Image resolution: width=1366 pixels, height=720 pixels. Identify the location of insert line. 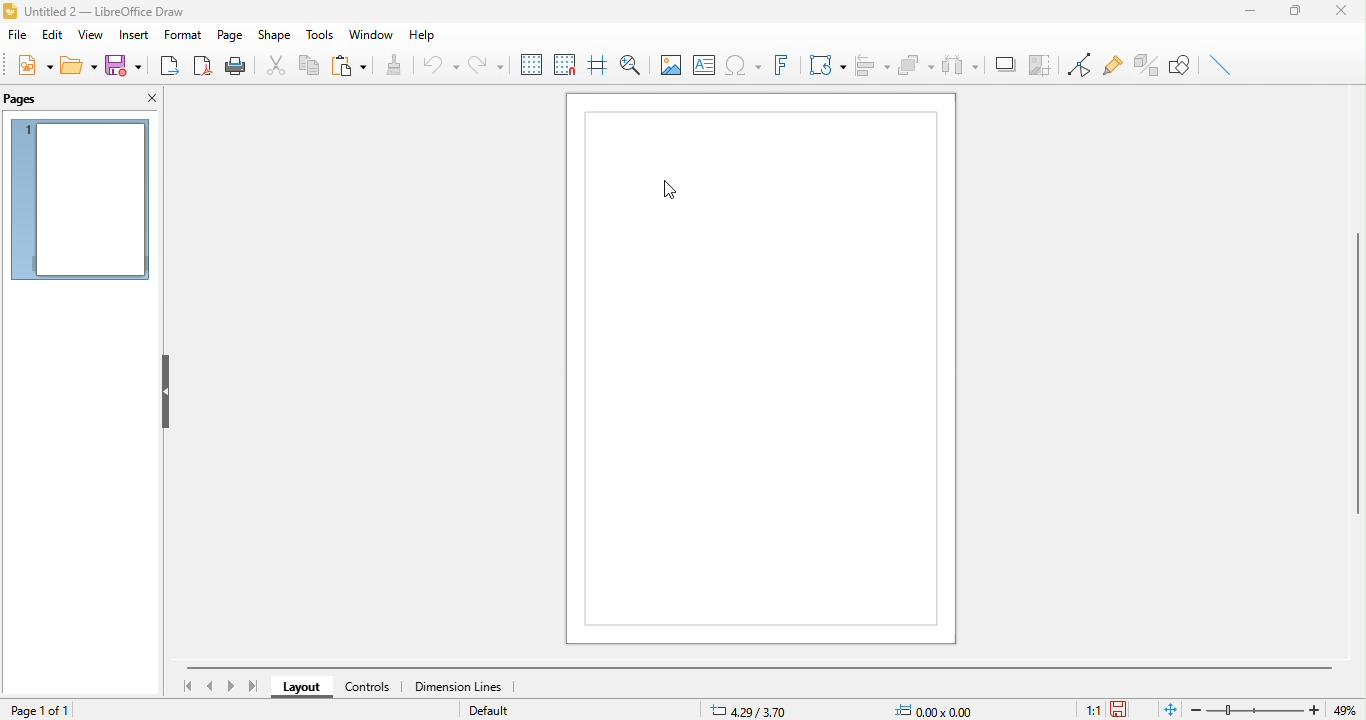
(1224, 65).